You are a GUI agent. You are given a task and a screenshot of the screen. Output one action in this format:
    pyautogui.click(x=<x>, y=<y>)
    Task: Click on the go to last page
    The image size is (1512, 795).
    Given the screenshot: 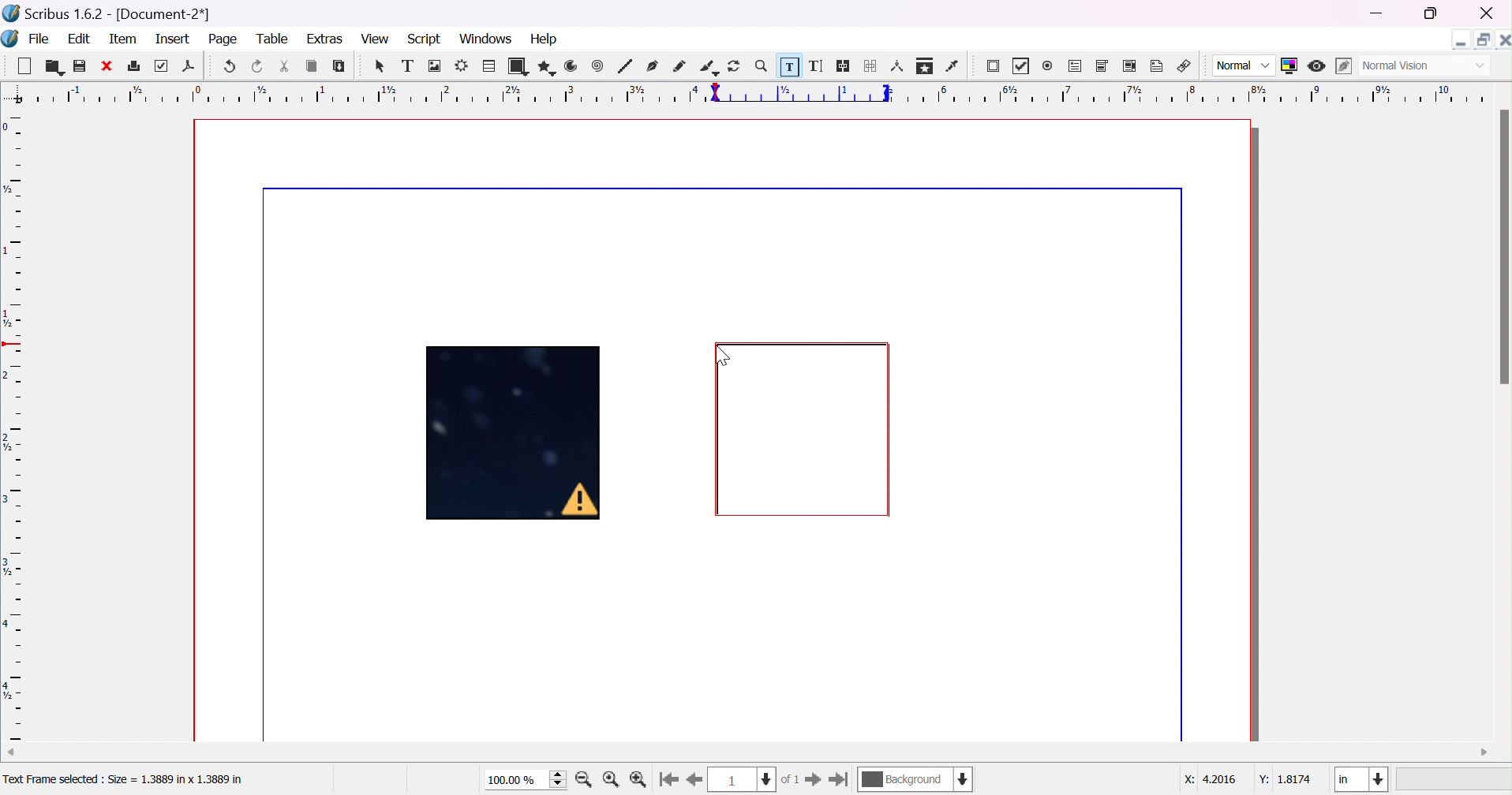 What is the action you would take?
    pyautogui.click(x=840, y=779)
    